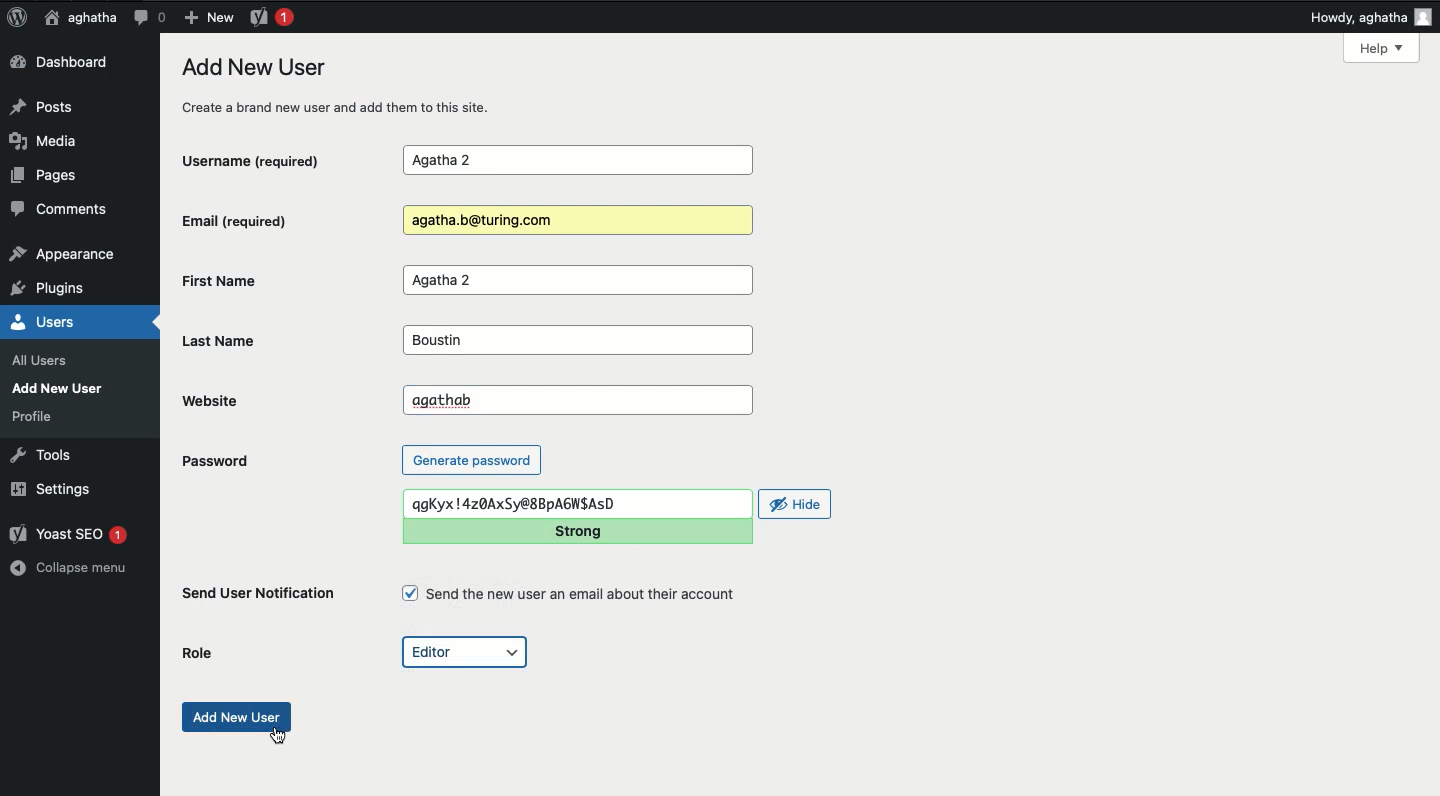 The width and height of the screenshot is (1440, 796). What do you see at coordinates (238, 716) in the screenshot?
I see `Click add new user` at bounding box center [238, 716].